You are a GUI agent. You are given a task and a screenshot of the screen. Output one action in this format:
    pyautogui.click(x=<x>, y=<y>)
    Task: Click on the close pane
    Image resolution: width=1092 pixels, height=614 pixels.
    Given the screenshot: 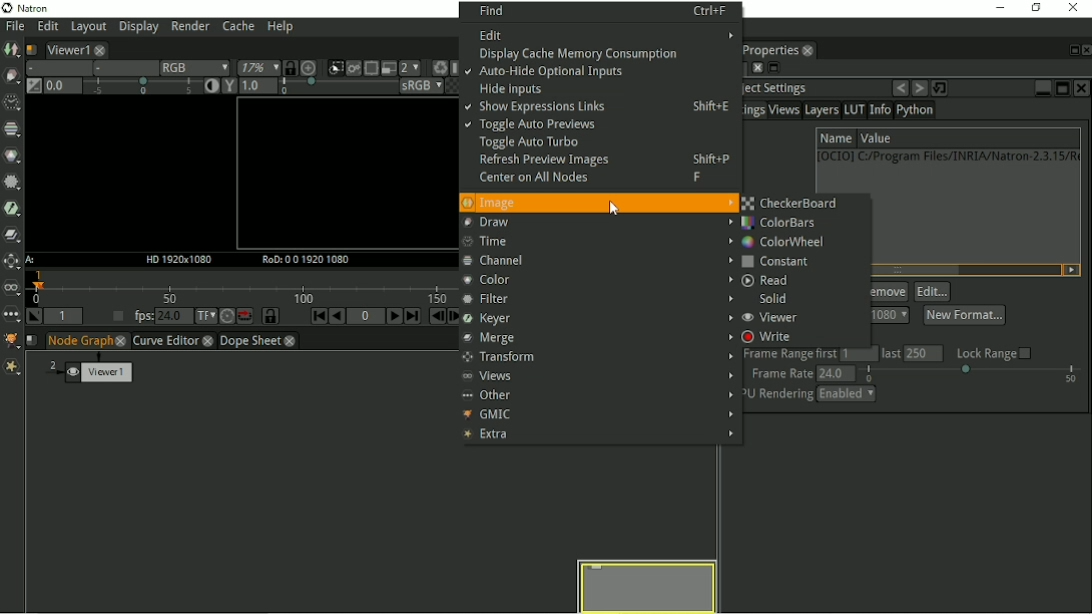 What is the action you would take?
    pyautogui.click(x=755, y=68)
    